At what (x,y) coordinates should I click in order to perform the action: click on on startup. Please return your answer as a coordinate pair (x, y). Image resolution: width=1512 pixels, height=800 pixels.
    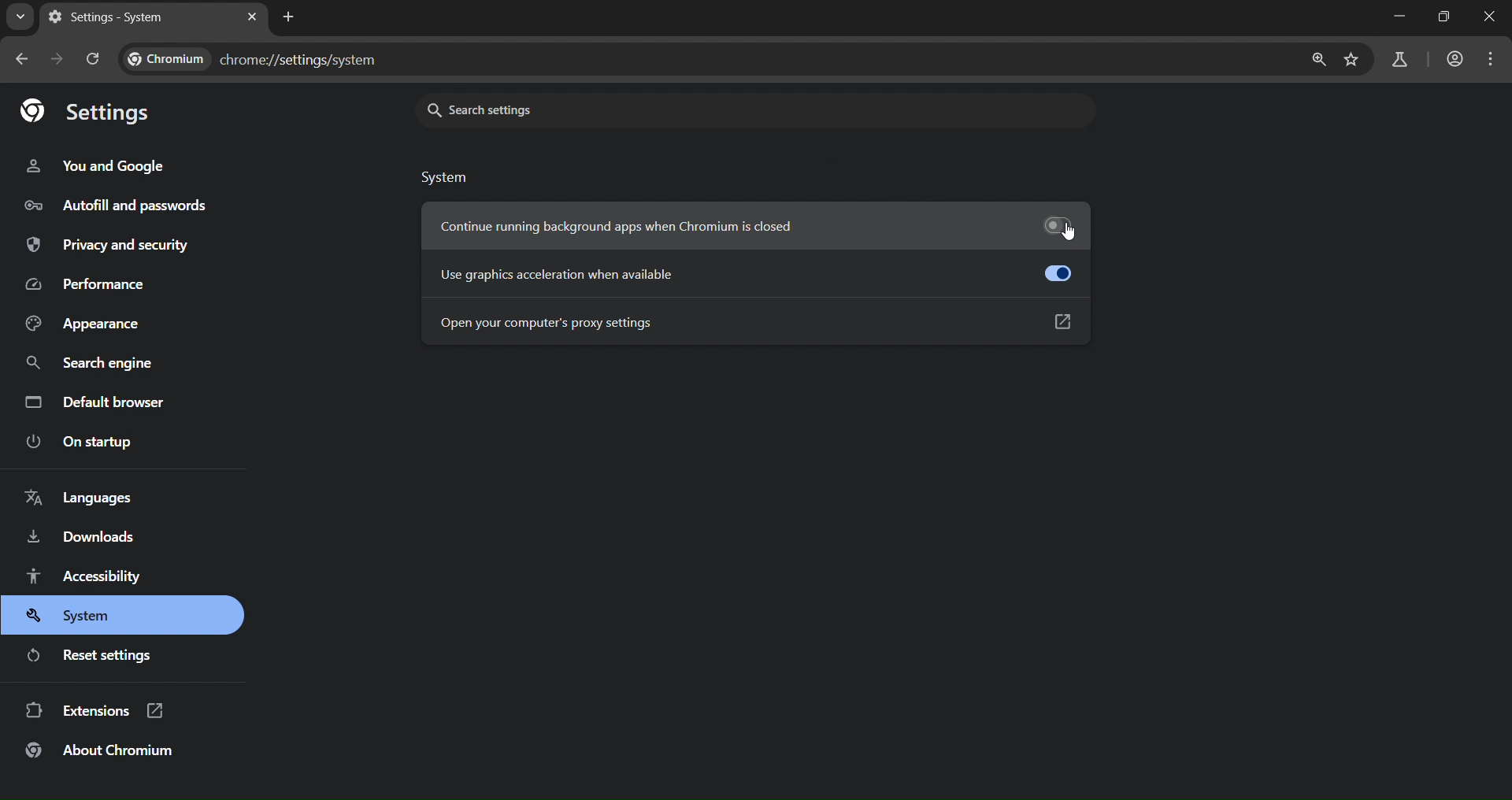
    Looking at the image, I should click on (86, 444).